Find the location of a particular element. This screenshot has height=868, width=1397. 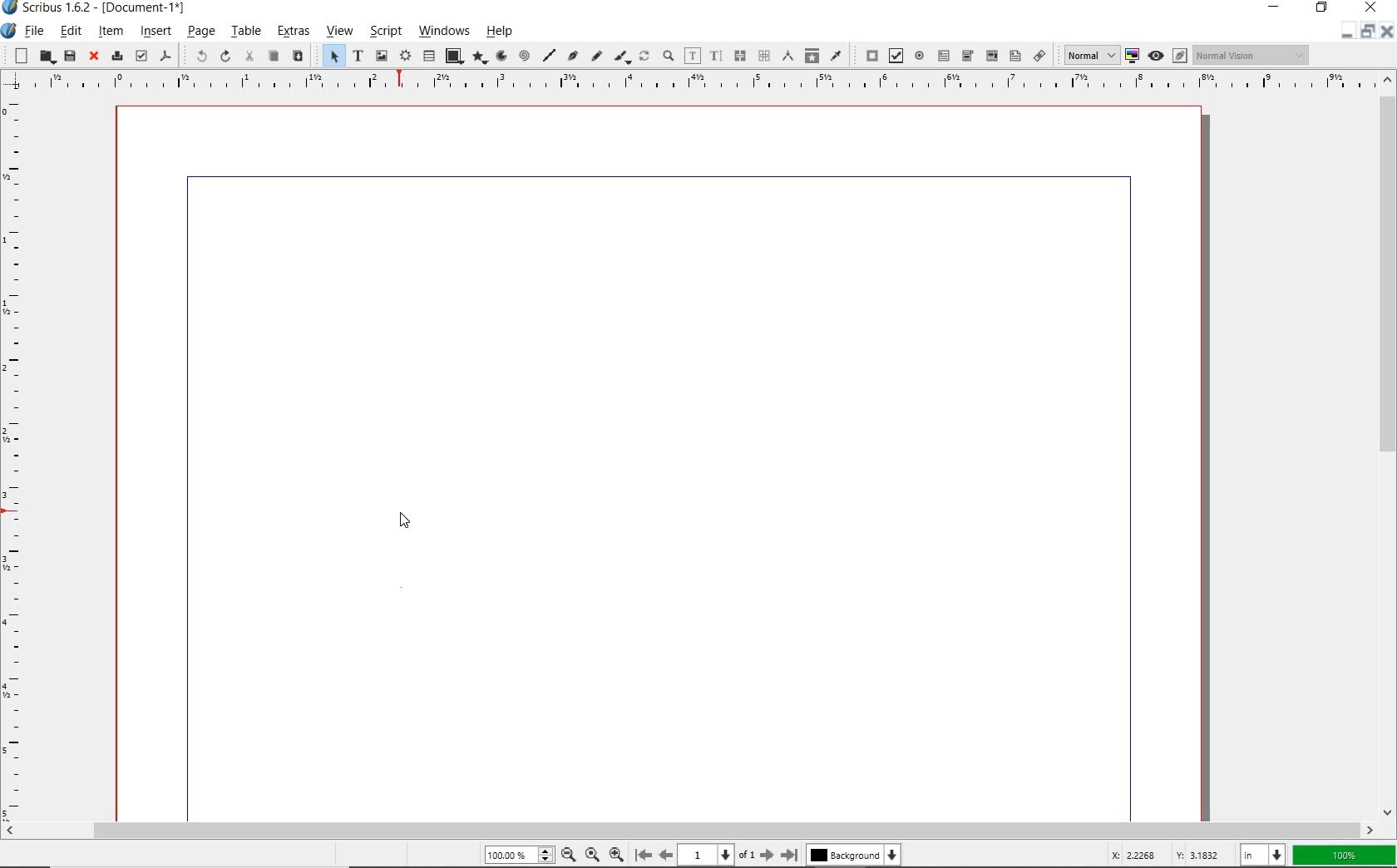

pdf list box is located at coordinates (990, 55).